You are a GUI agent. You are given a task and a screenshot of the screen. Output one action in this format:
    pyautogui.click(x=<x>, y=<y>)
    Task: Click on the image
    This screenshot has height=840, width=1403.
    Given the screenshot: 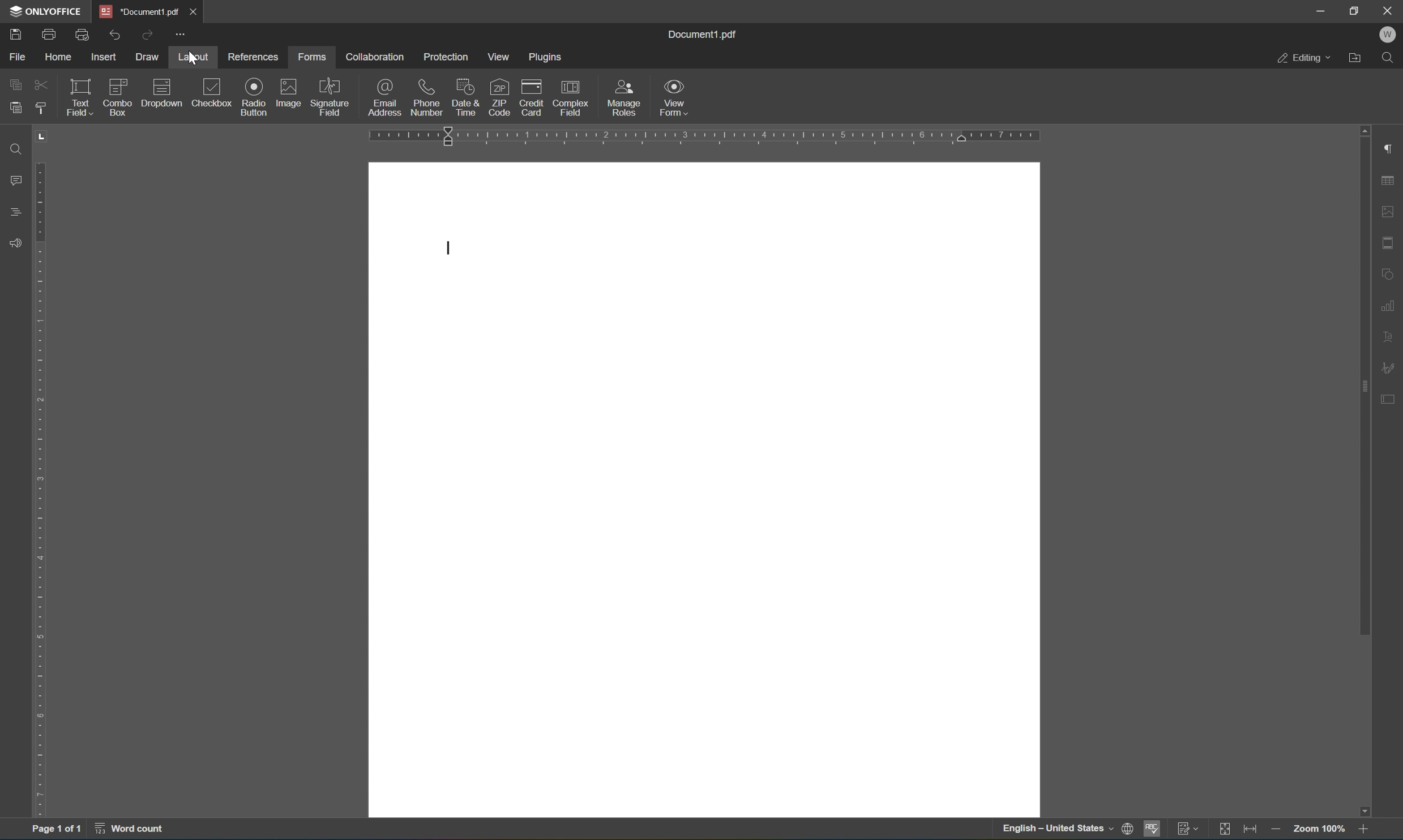 What is the action you would take?
    pyautogui.click(x=289, y=91)
    